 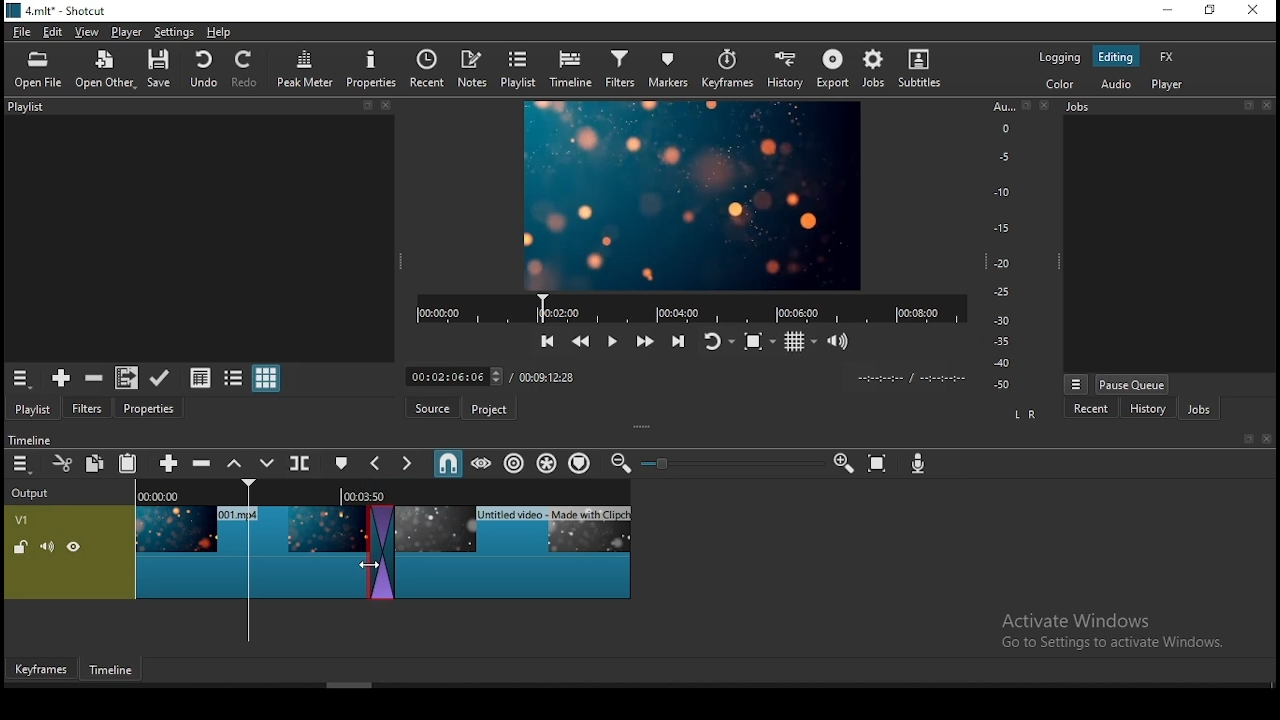 I want to click on update, so click(x=159, y=376).